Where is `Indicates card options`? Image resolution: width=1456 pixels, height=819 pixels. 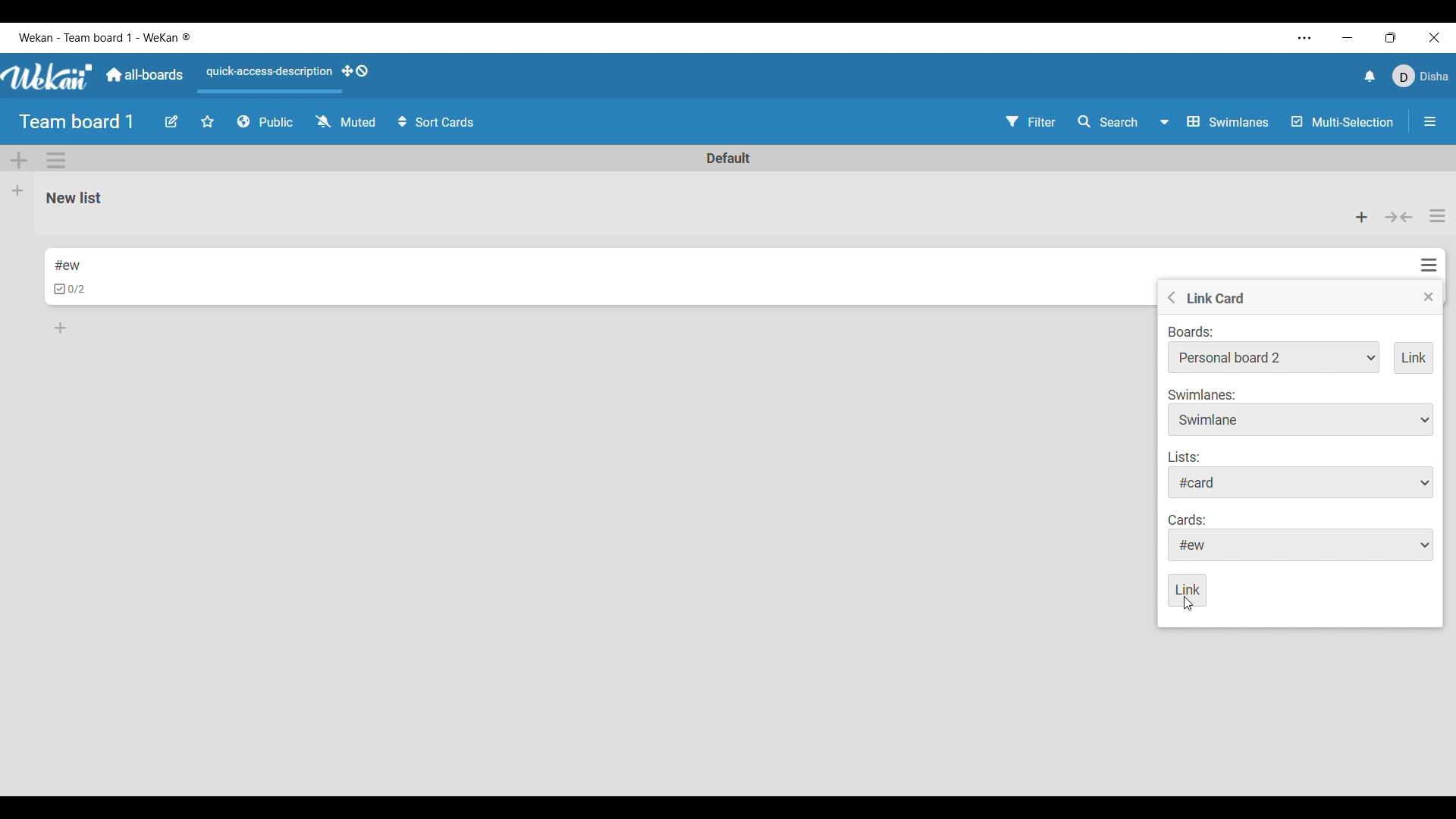 Indicates card options is located at coordinates (1188, 520).